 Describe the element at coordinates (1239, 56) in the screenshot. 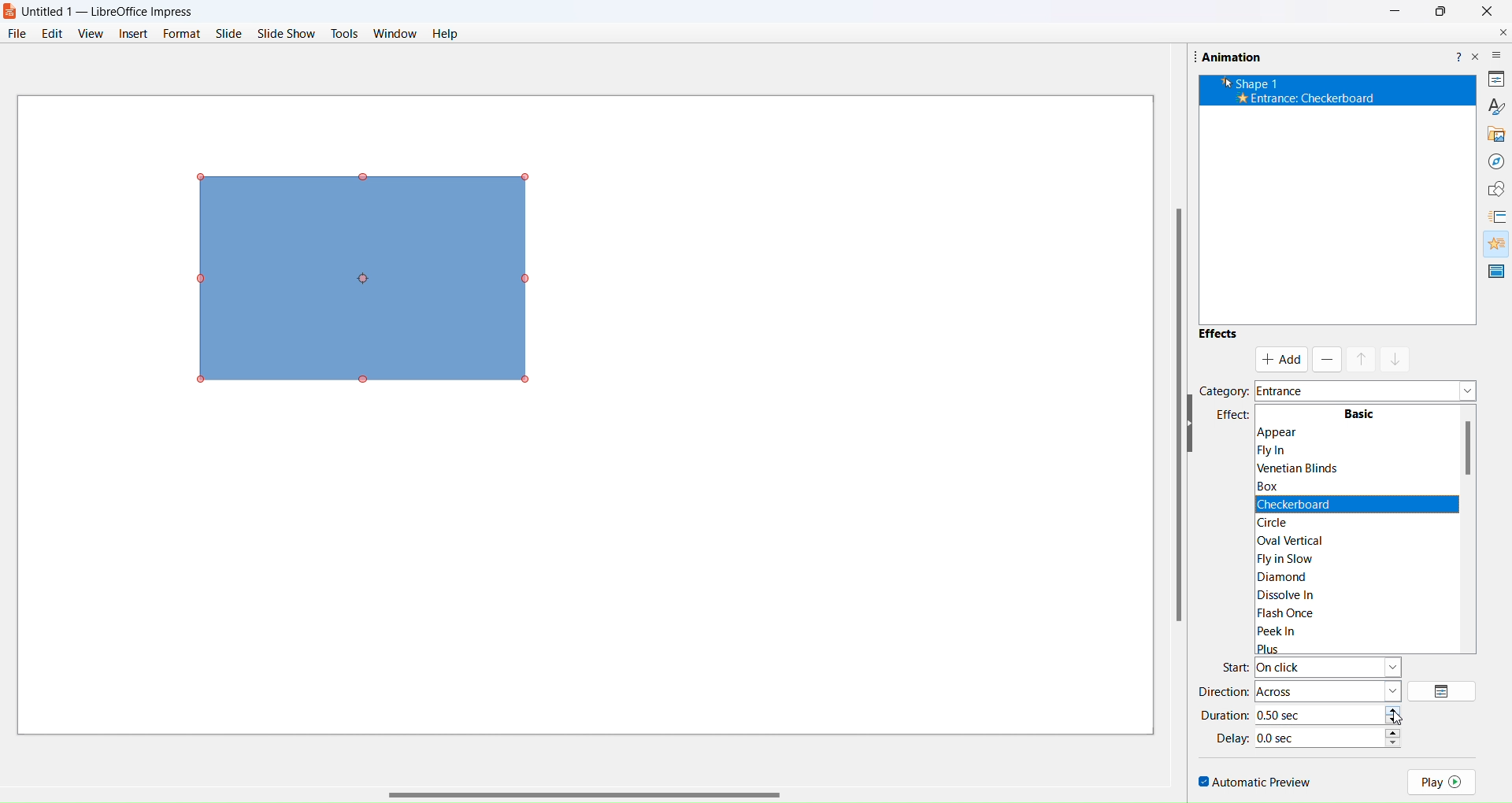

I see `Animation` at that location.